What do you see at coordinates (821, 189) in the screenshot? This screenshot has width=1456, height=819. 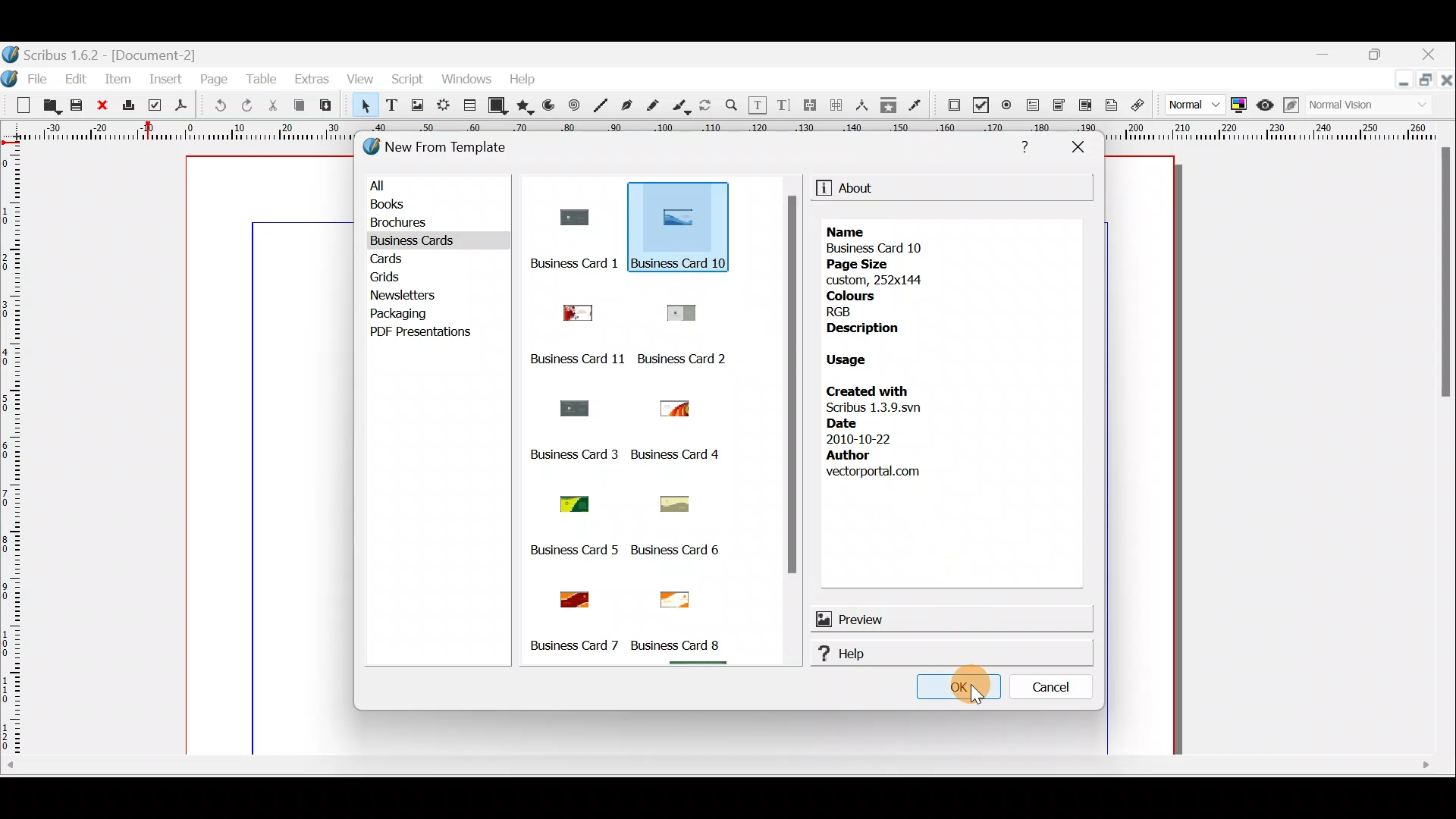 I see `information` at bounding box center [821, 189].